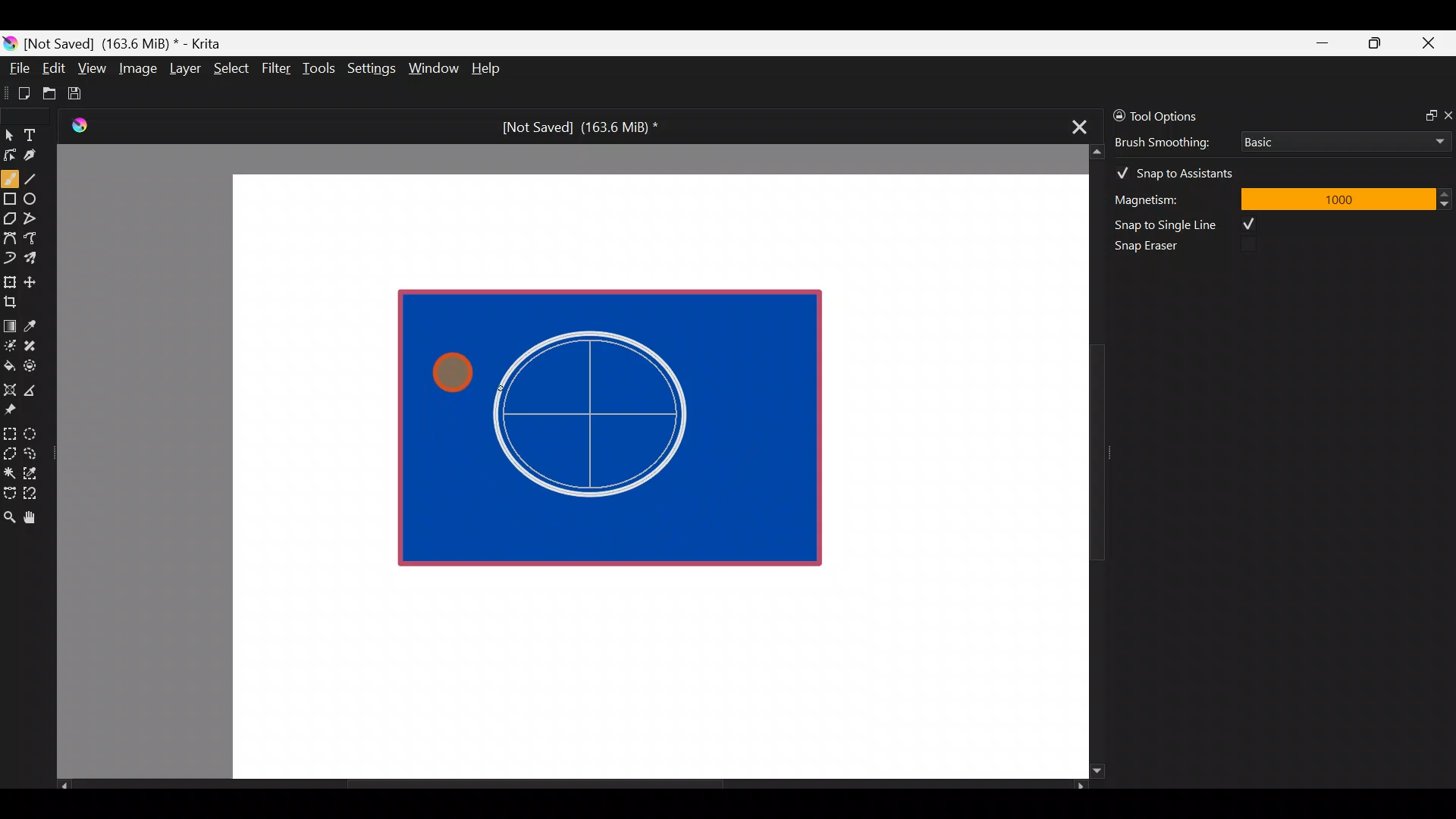 This screenshot has width=1456, height=819. What do you see at coordinates (1447, 203) in the screenshot?
I see `Decrease` at bounding box center [1447, 203].